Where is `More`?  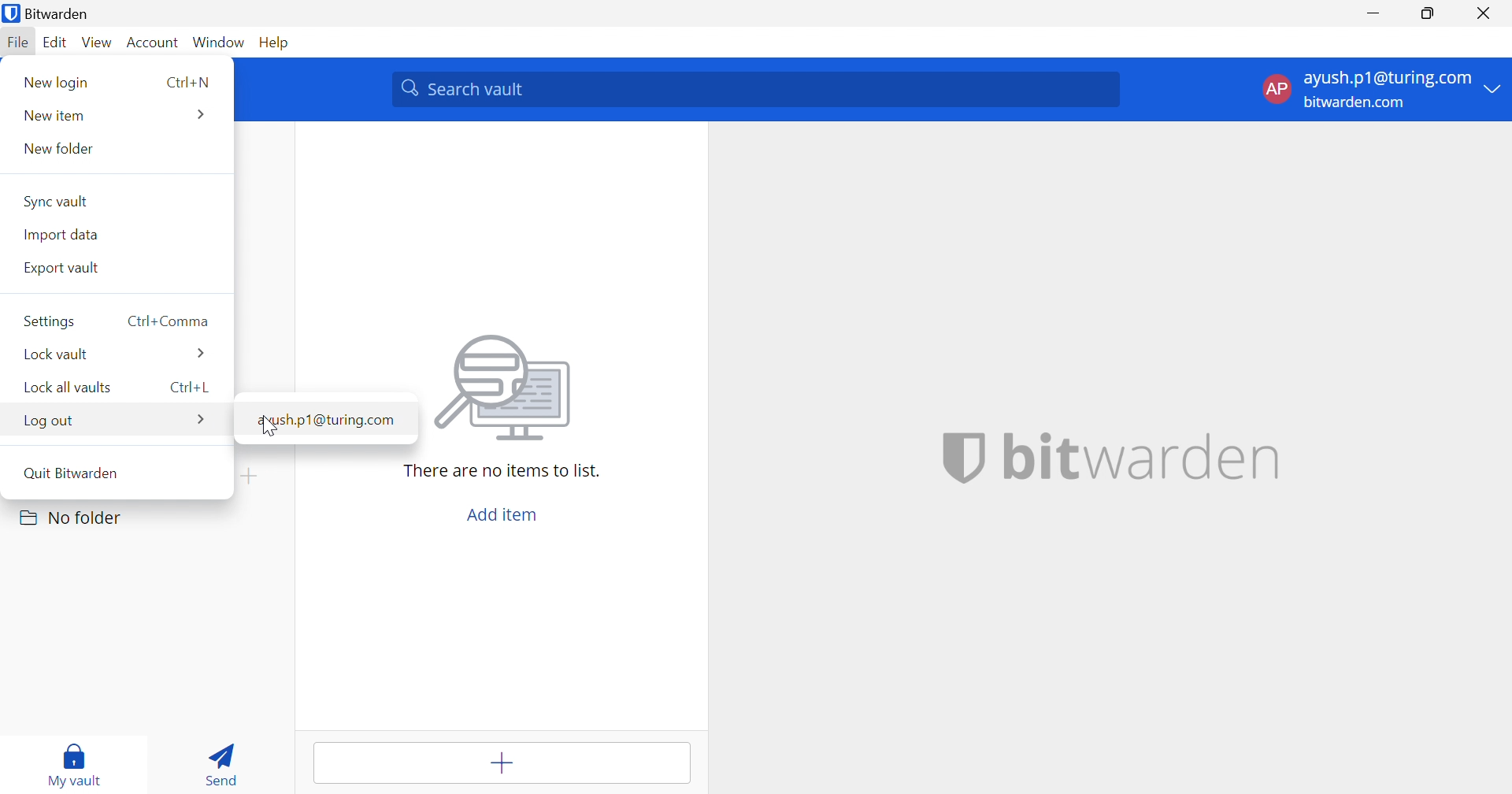 More is located at coordinates (202, 421).